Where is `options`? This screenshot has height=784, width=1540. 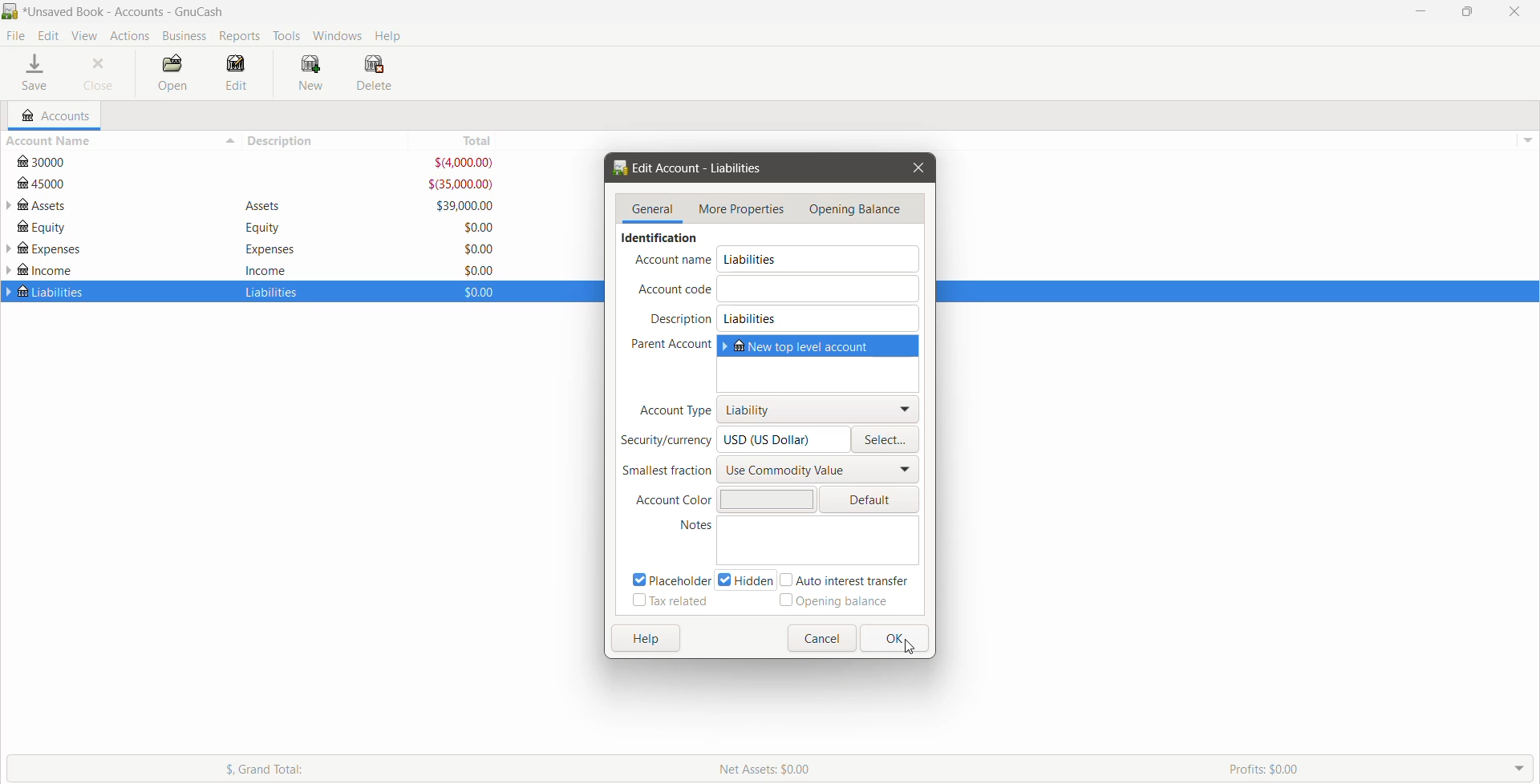
options is located at coordinates (1526, 136).